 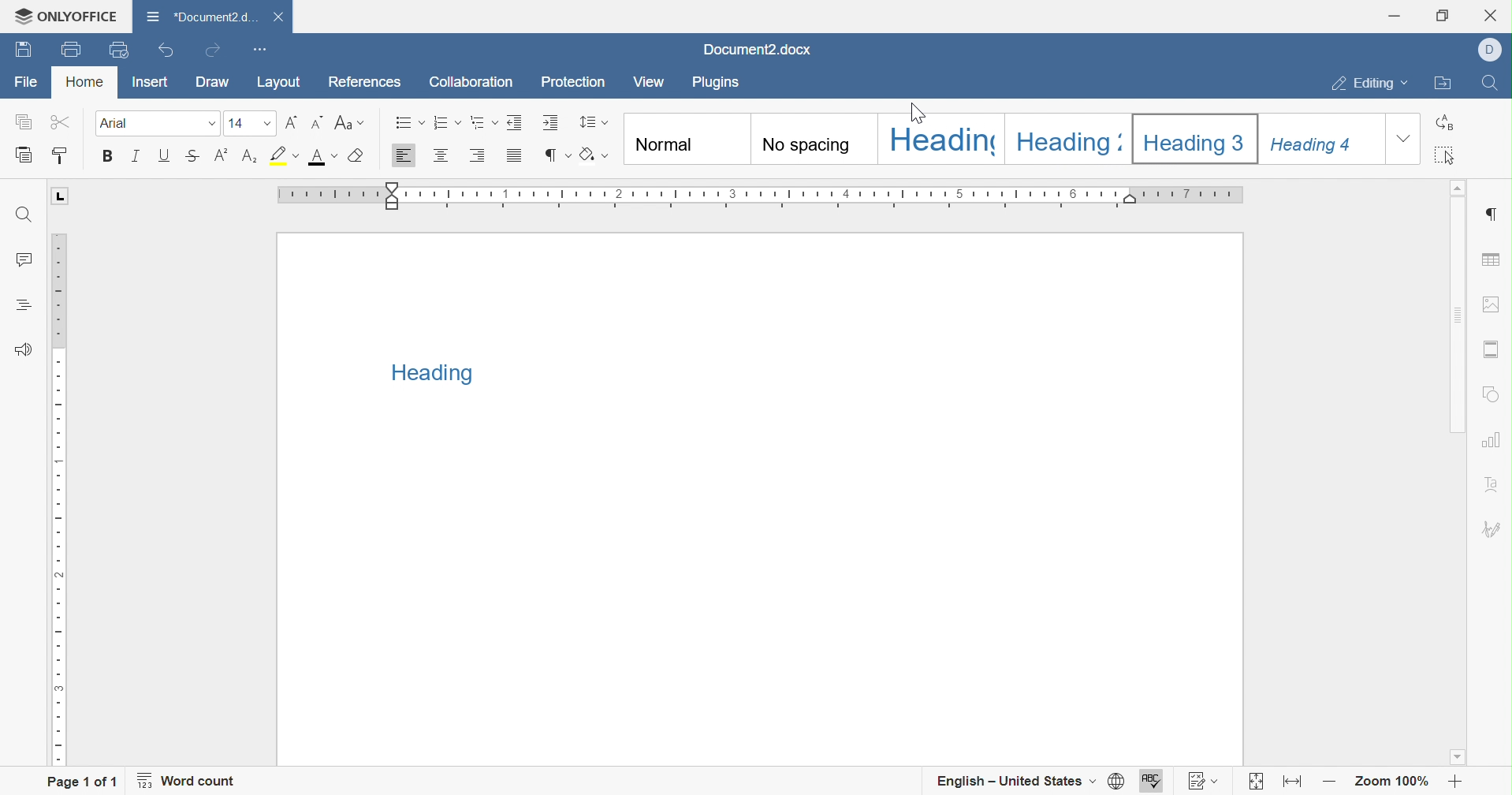 I want to click on Paragraph settings, so click(x=1495, y=214).